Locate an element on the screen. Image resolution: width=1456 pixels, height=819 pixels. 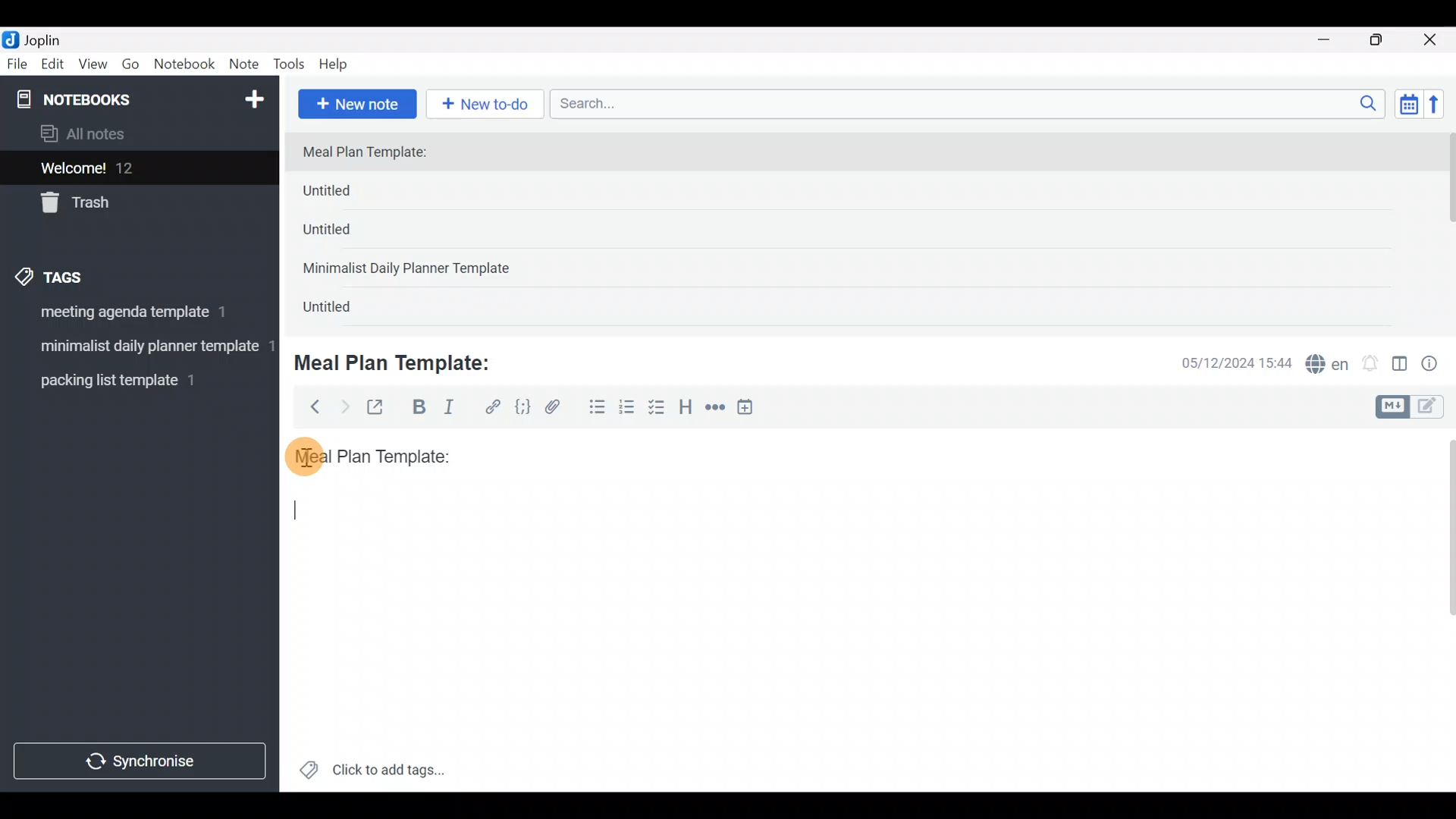
text cursor is located at coordinates (303, 516).